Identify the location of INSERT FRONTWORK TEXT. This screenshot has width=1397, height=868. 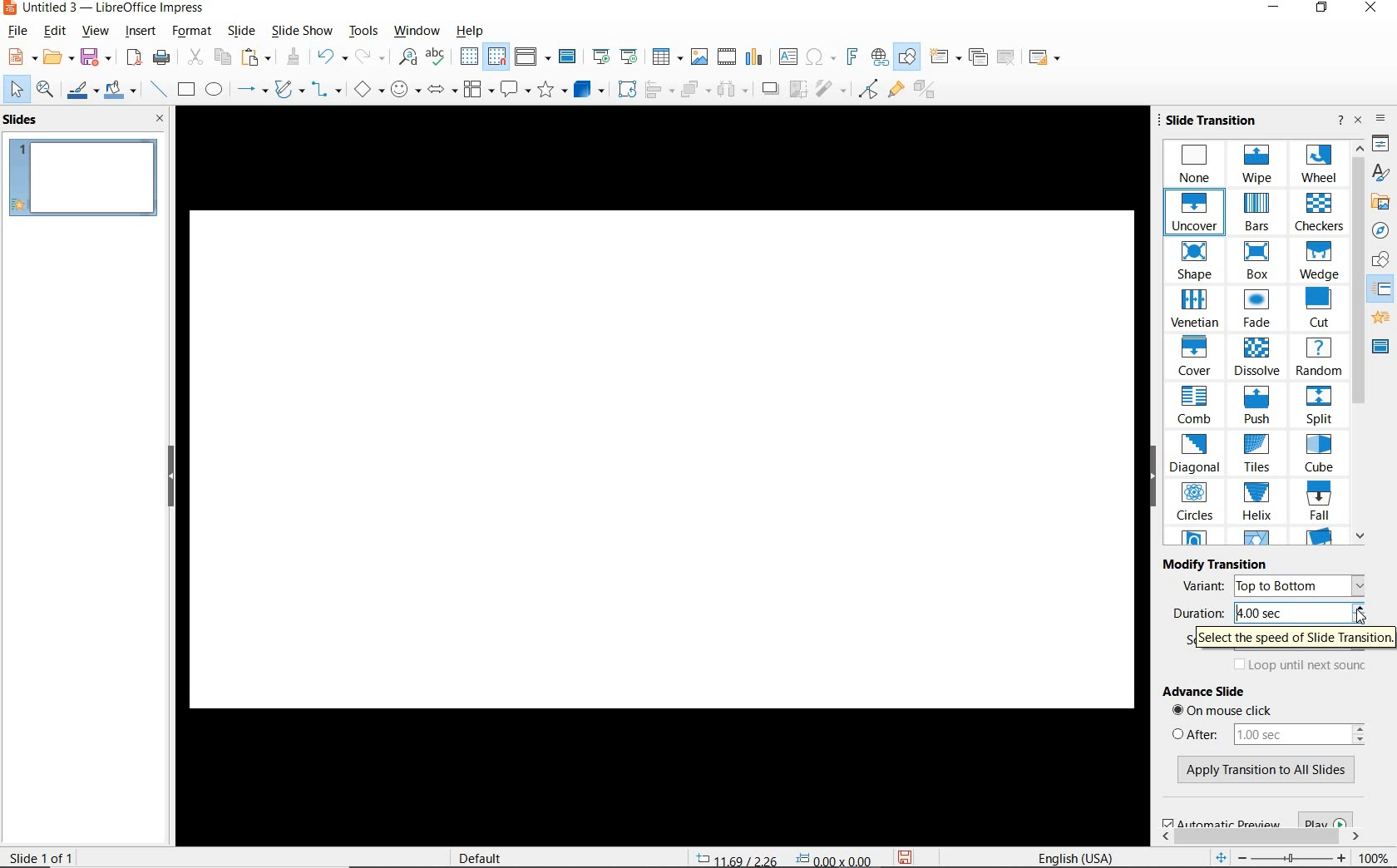
(851, 57).